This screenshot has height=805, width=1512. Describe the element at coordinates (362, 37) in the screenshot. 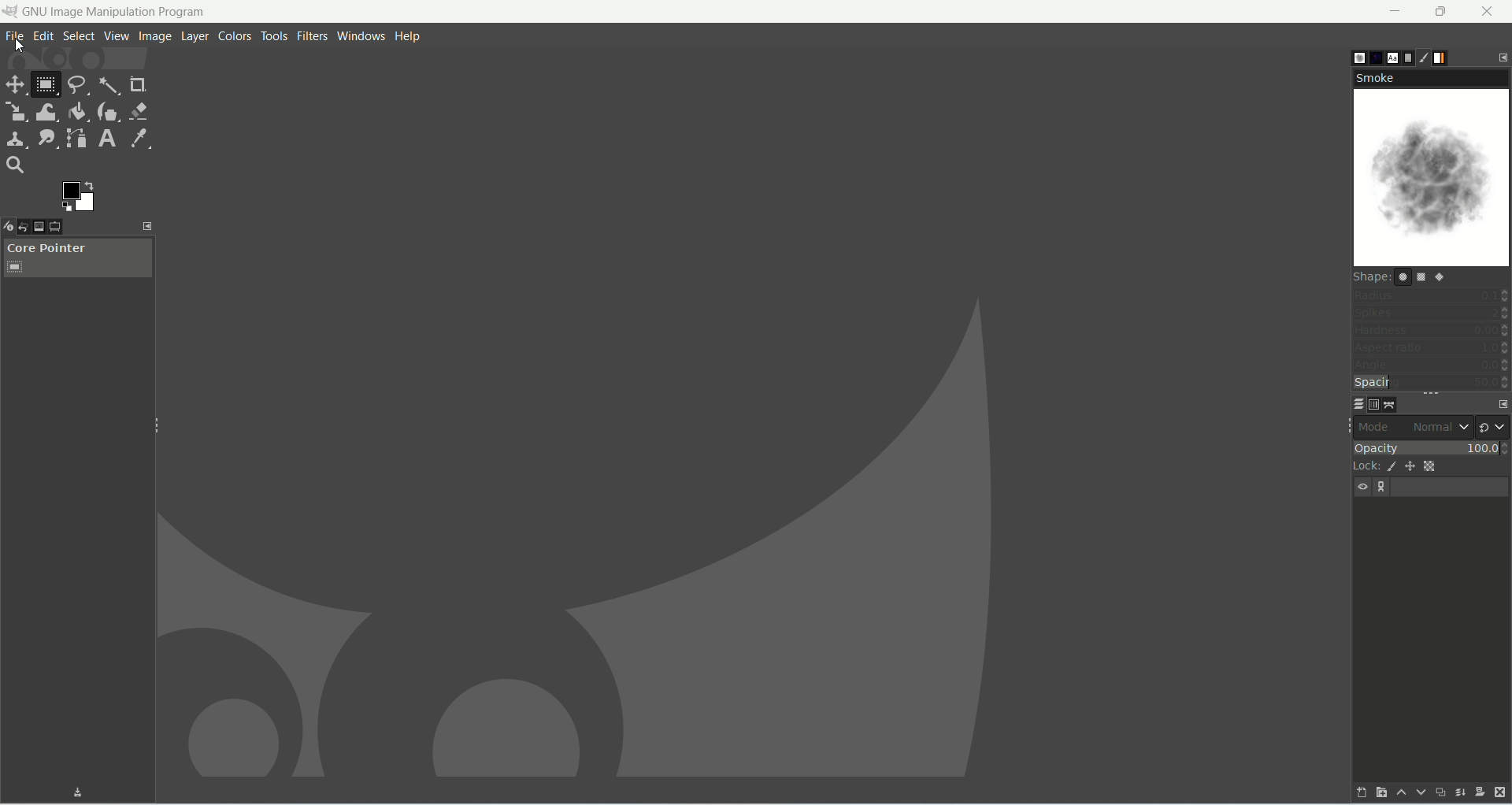

I see `windows` at that location.